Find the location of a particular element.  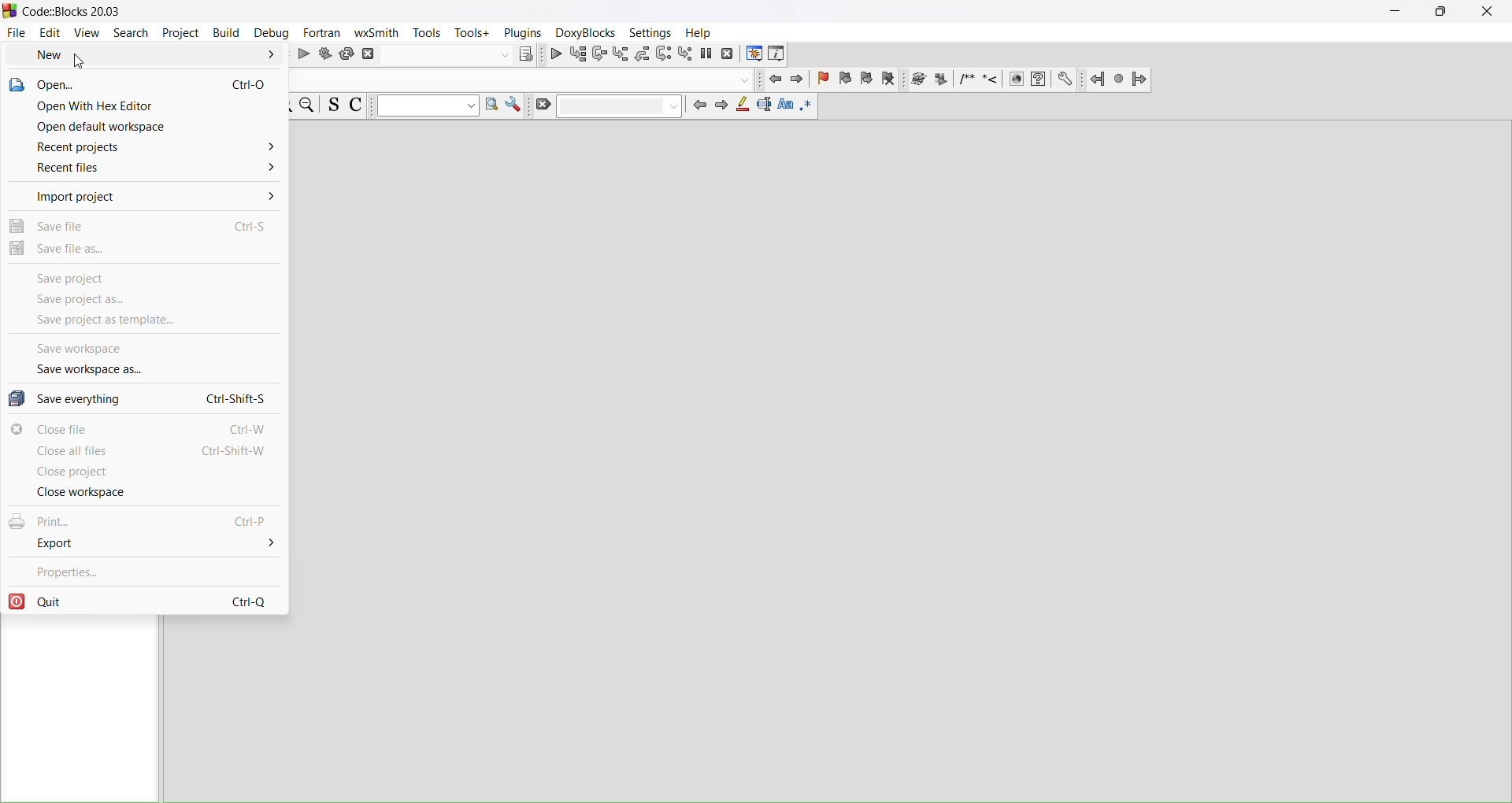

next line is located at coordinates (598, 54).